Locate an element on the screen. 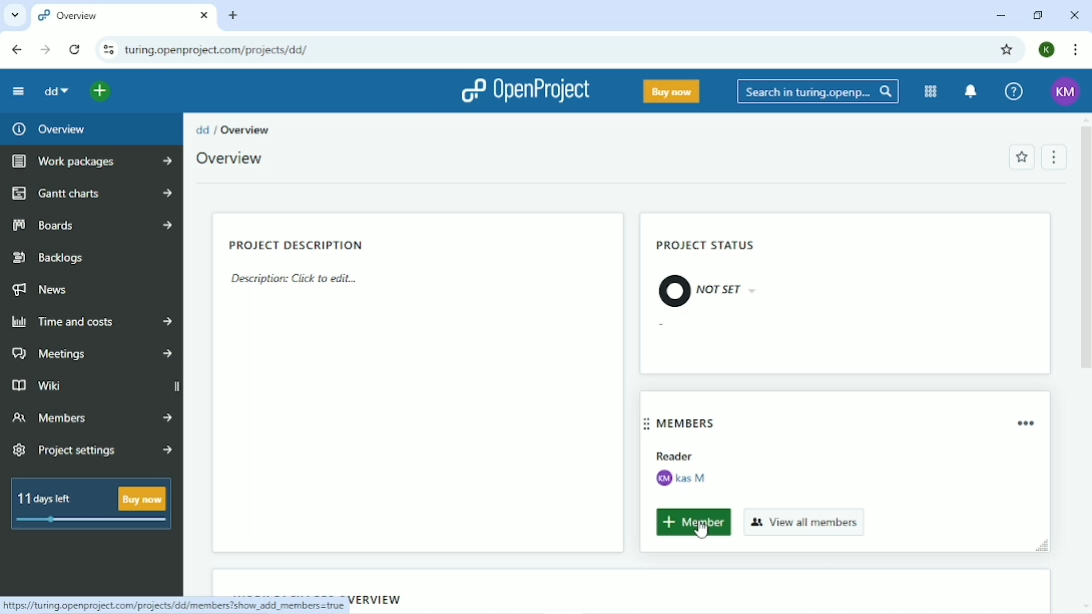  cursor is located at coordinates (703, 533).